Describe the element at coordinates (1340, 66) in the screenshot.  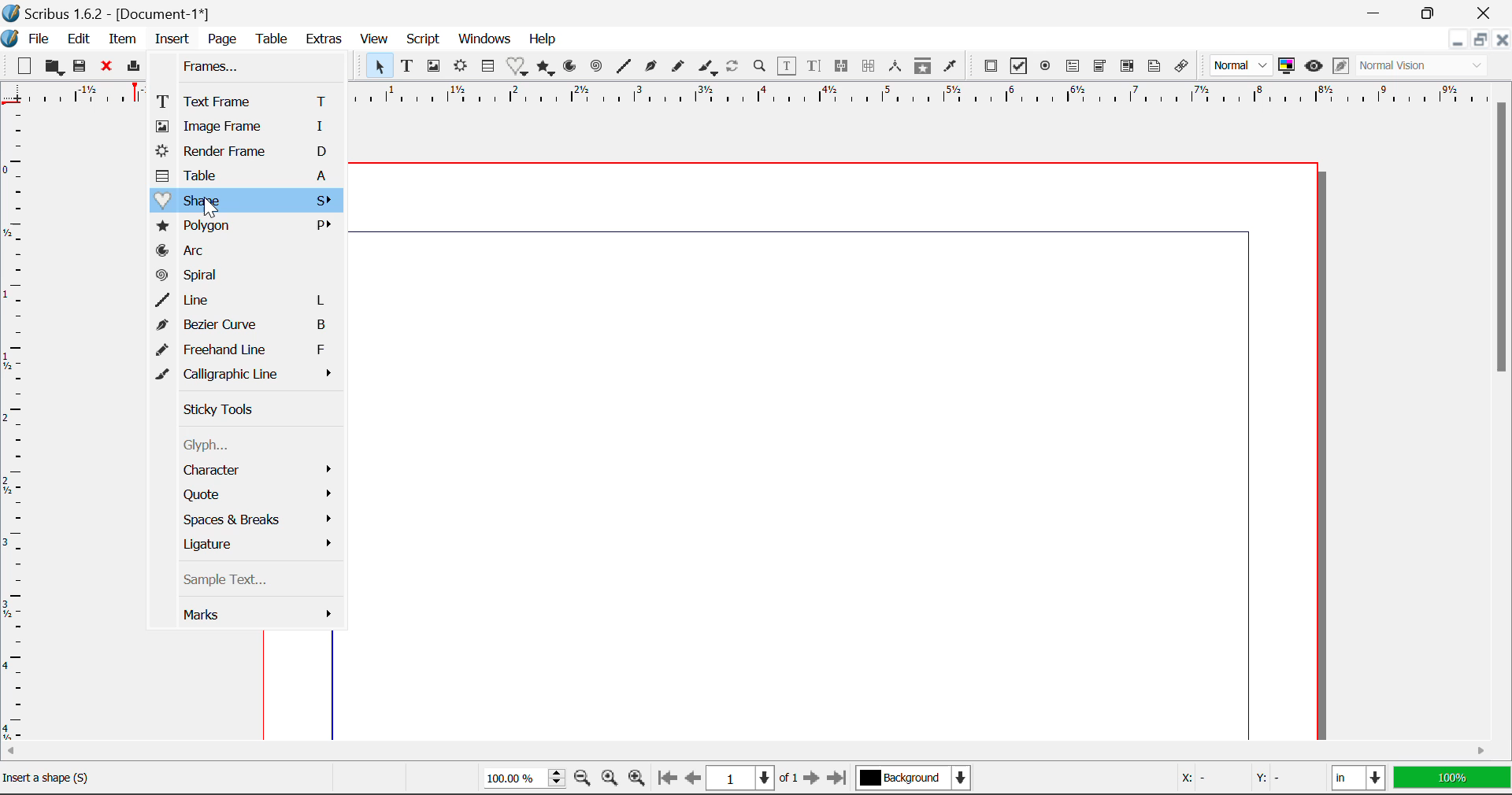
I see `Edit in Preview Mode` at that location.